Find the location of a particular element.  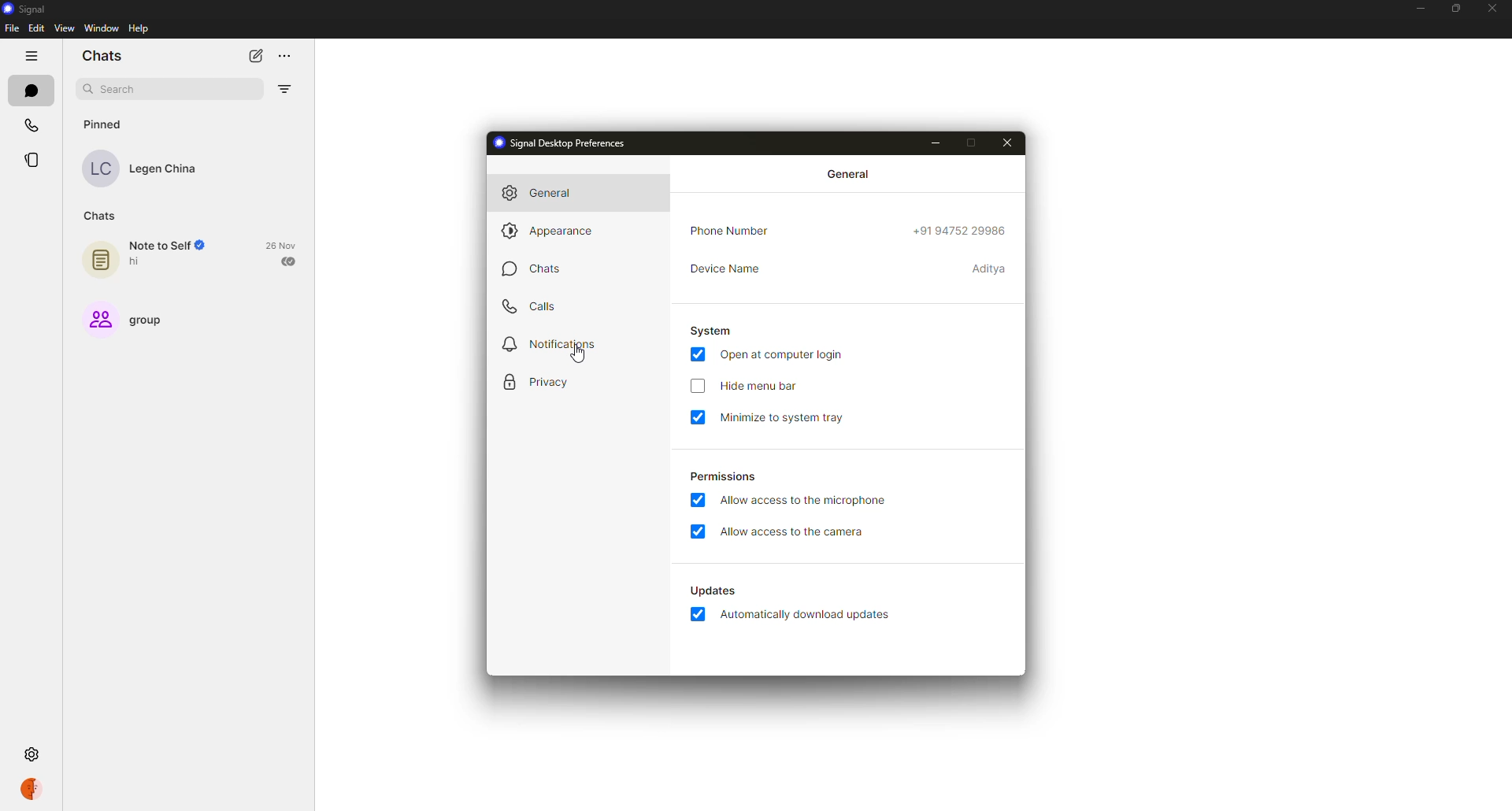

profile is located at coordinates (31, 791).